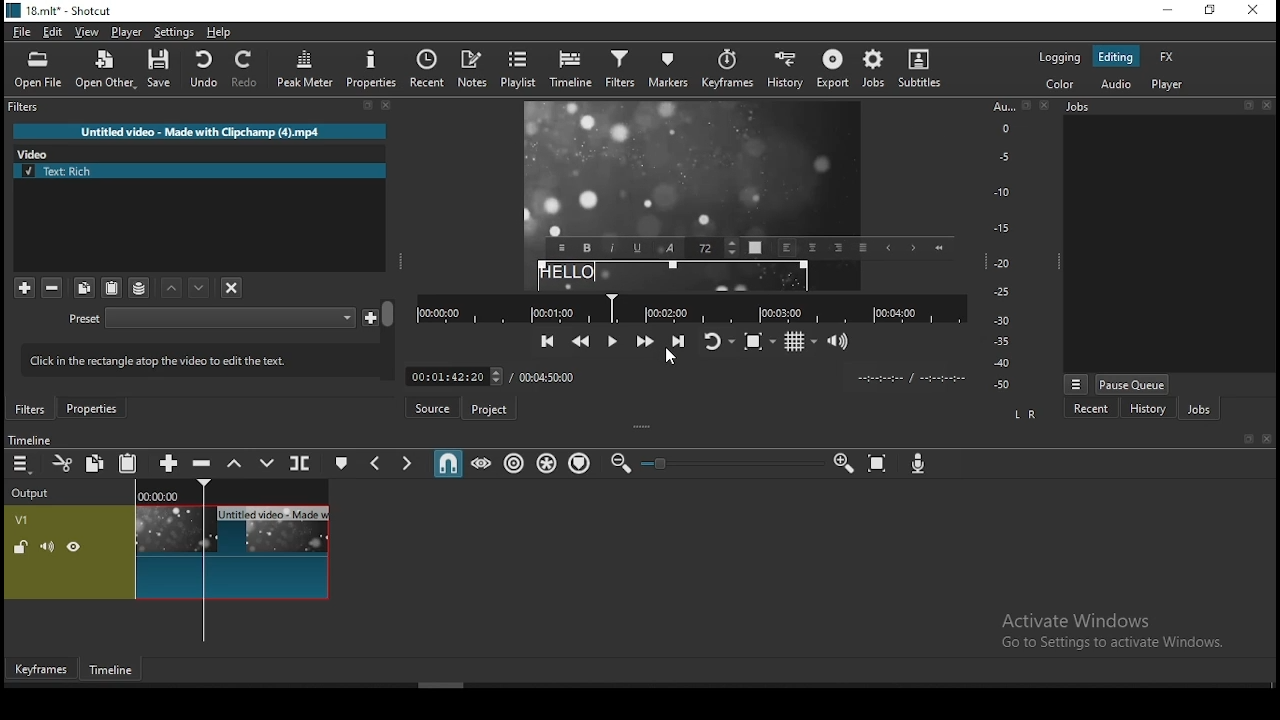 The image size is (1280, 720). I want to click on Next, so click(912, 248).